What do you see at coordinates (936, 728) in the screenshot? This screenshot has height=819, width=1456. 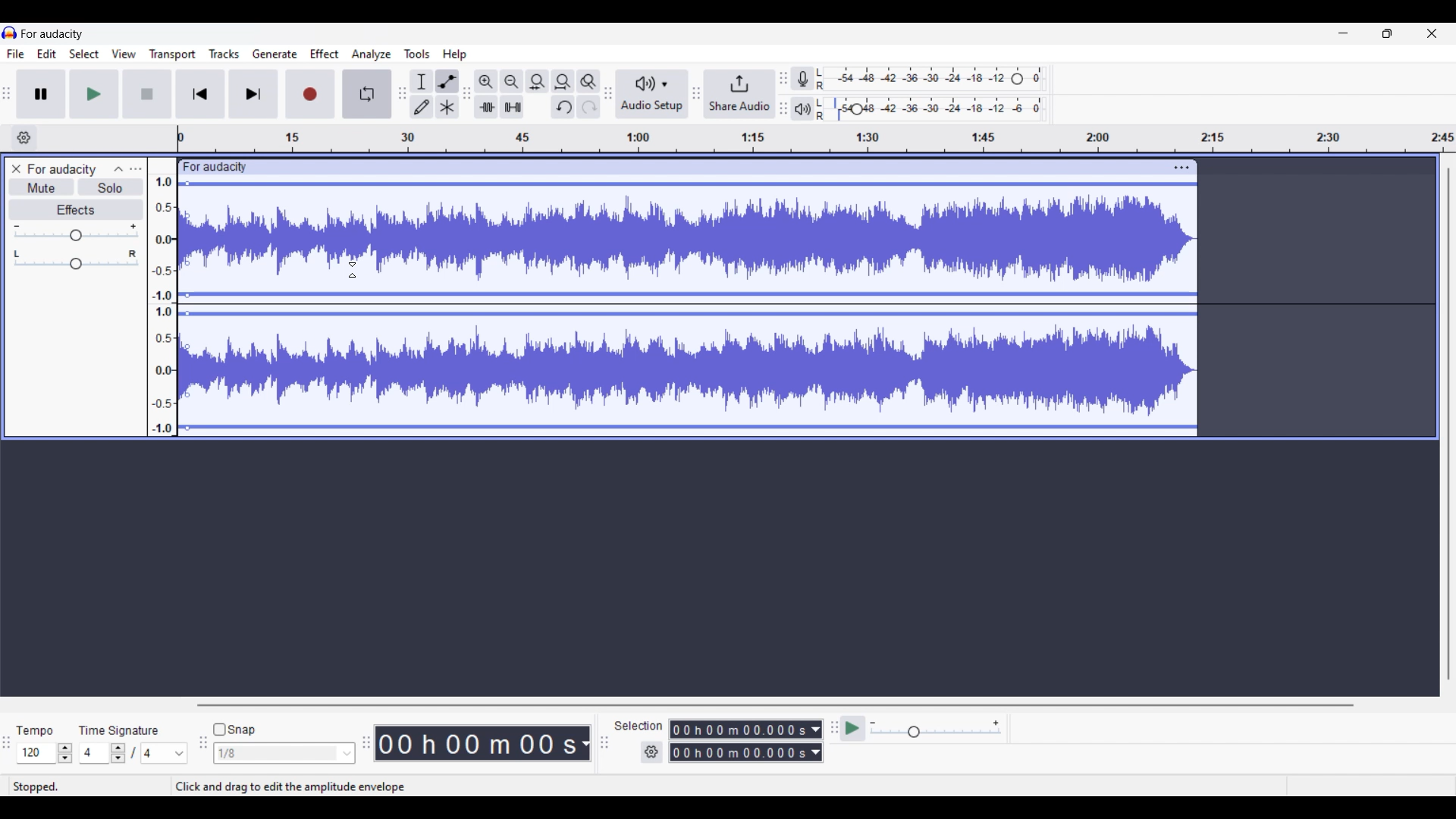 I see `Playback speed settings` at bounding box center [936, 728].